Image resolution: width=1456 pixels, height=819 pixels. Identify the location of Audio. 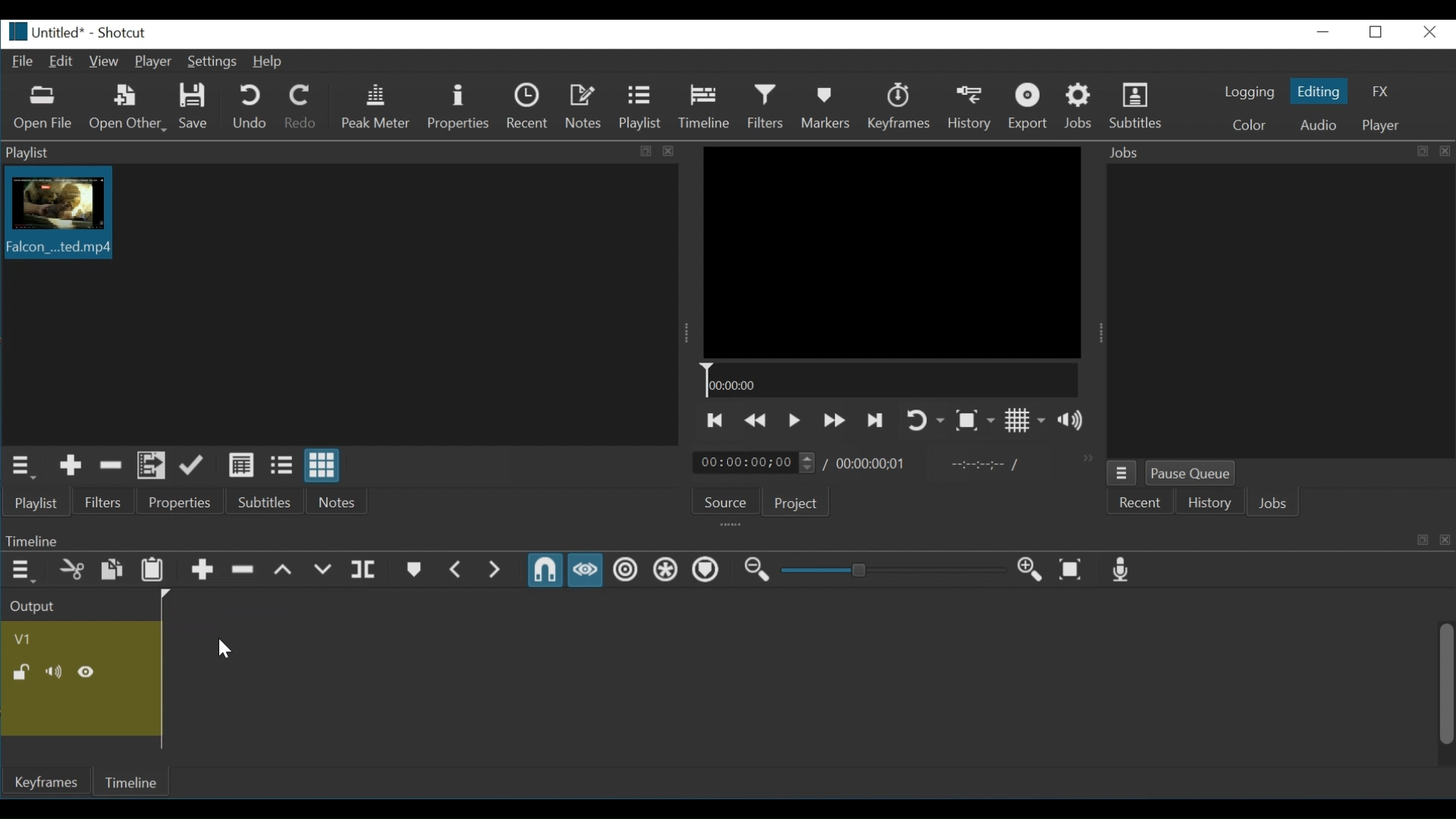
(1317, 124).